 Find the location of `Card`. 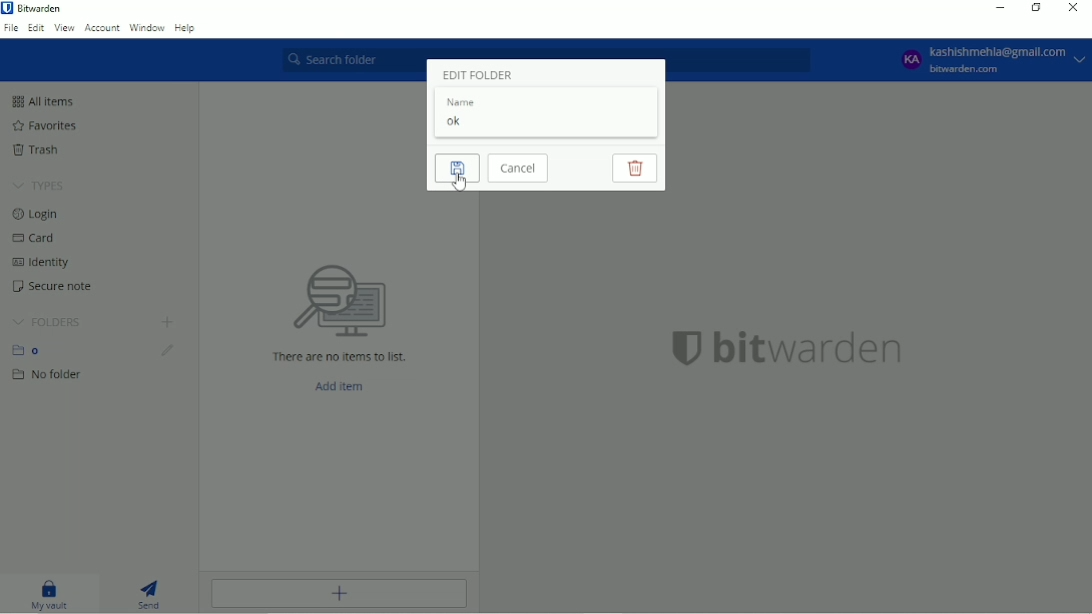

Card is located at coordinates (37, 238).